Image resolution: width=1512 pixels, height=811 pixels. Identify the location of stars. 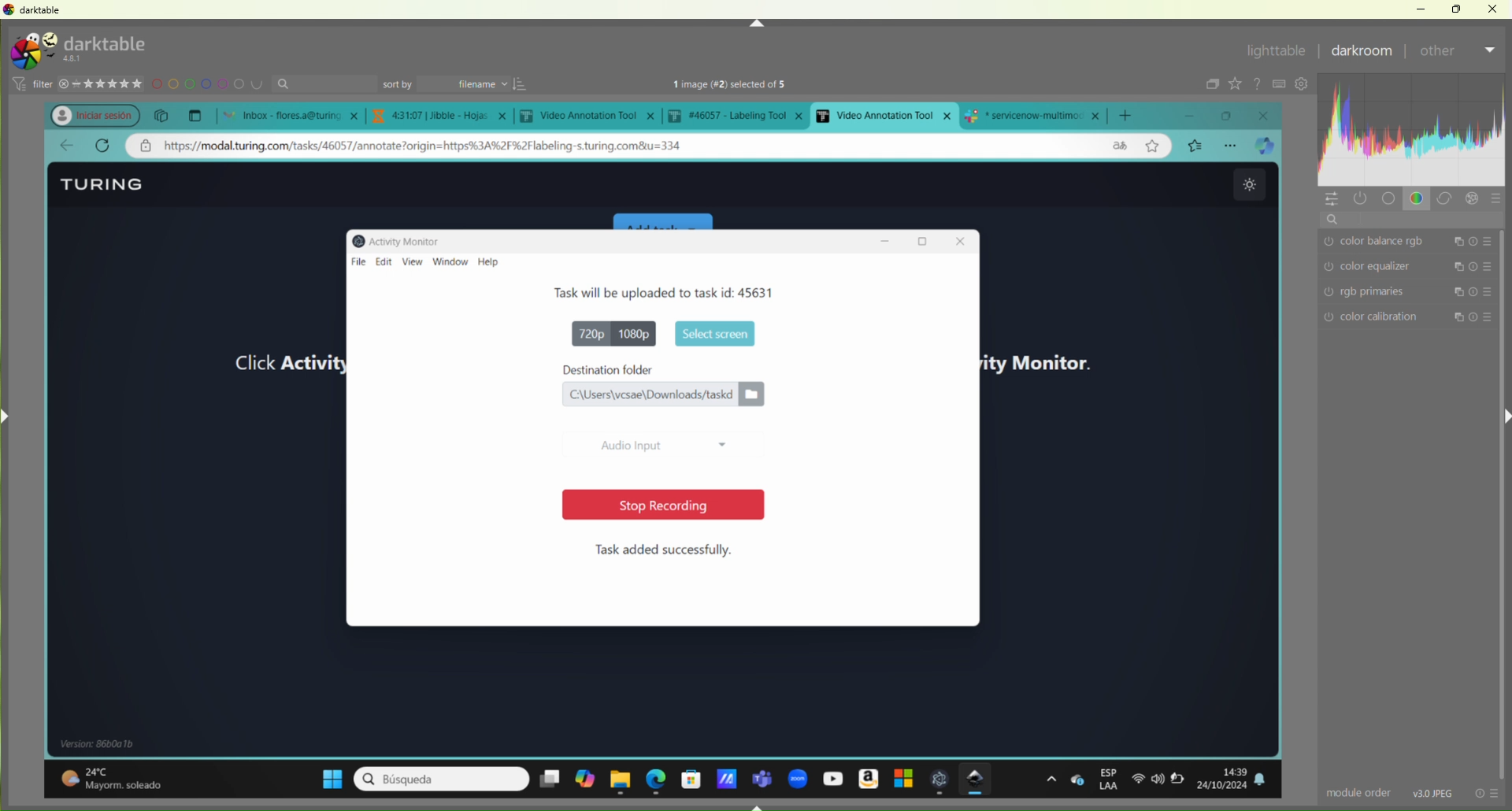
(103, 82).